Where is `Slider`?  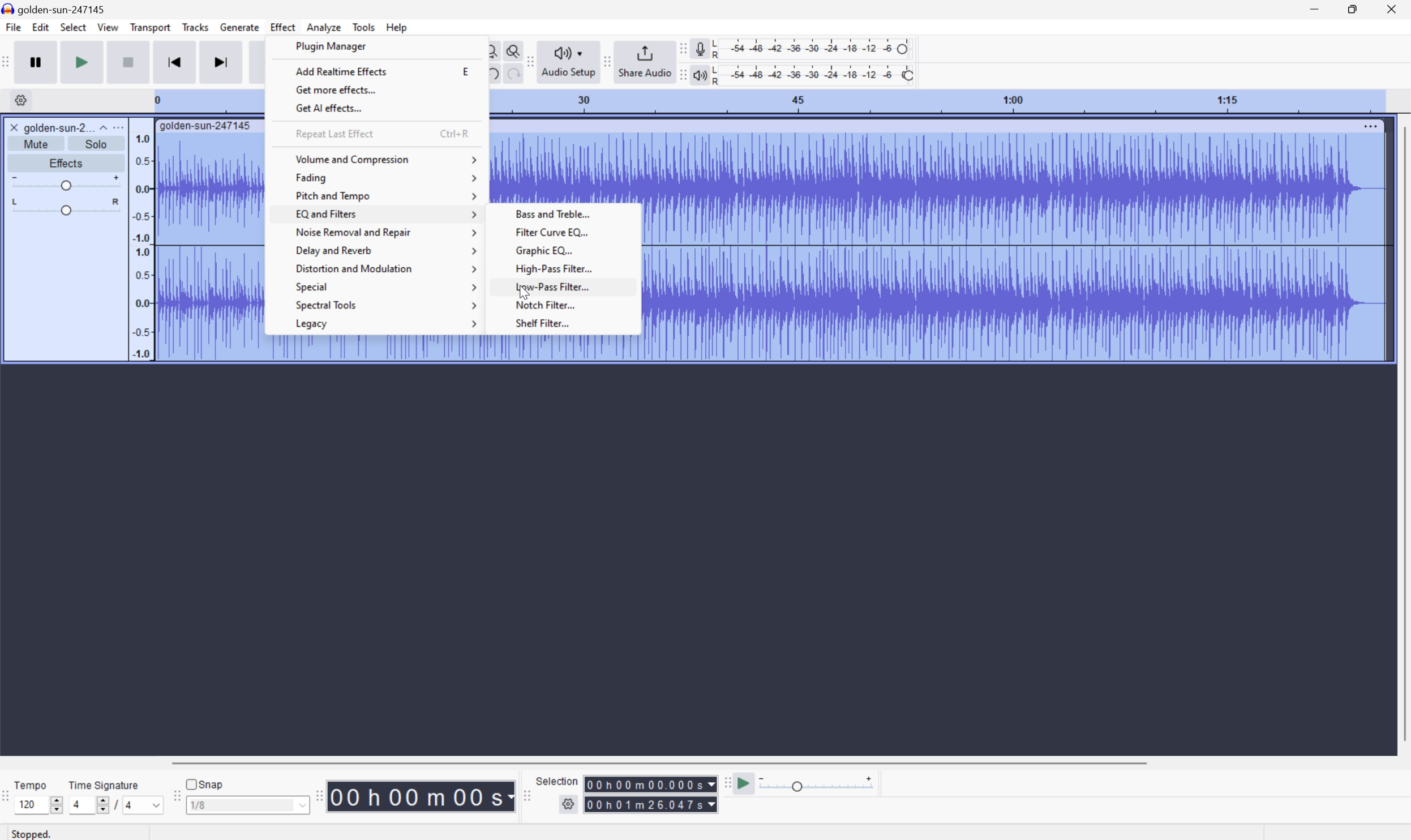
Slider is located at coordinates (66, 207).